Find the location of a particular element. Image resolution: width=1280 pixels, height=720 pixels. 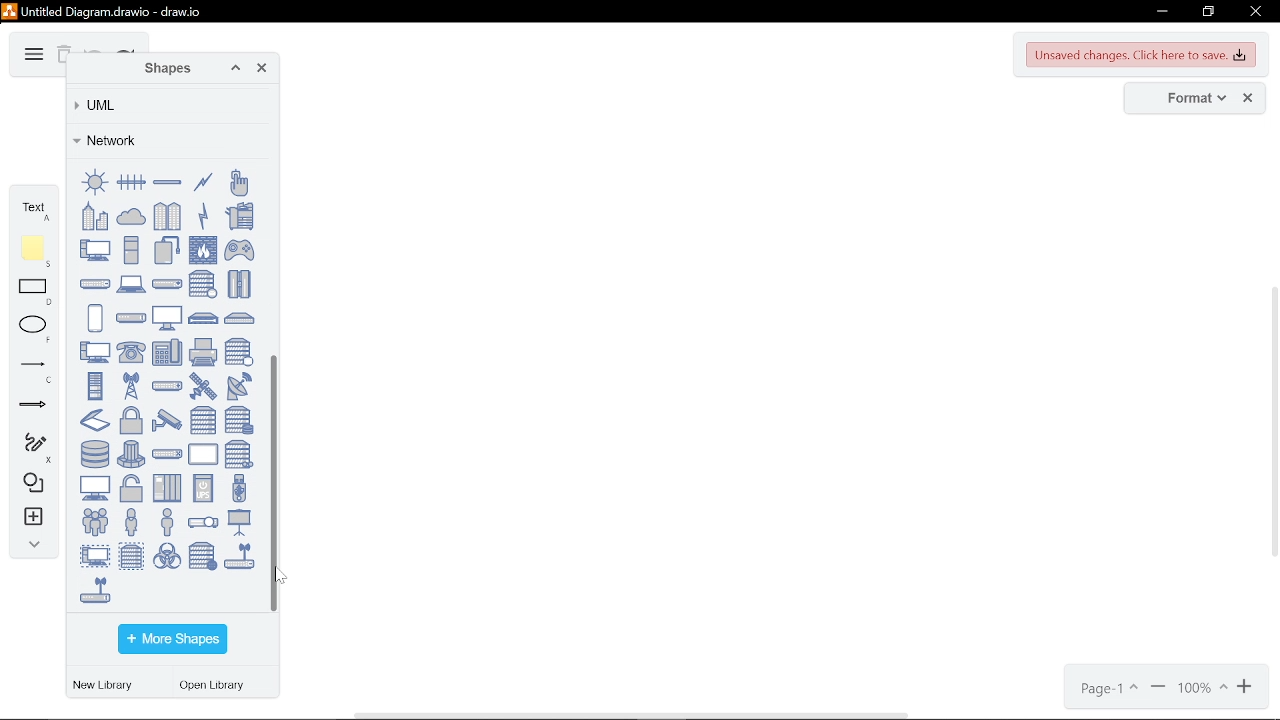

load balancer is located at coordinates (167, 283).